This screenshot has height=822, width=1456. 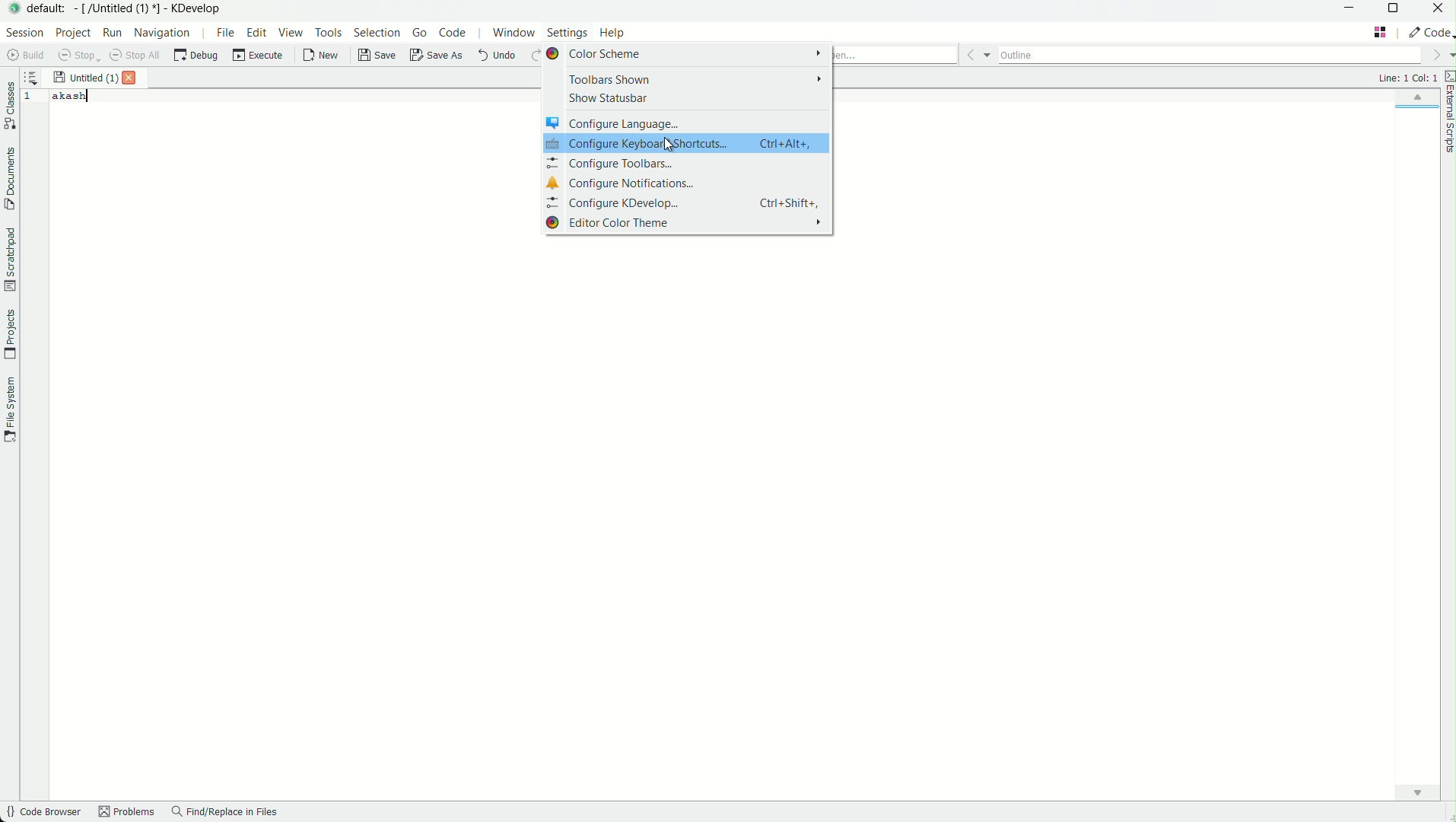 I want to click on color scheme, so click(x=685, y=55).